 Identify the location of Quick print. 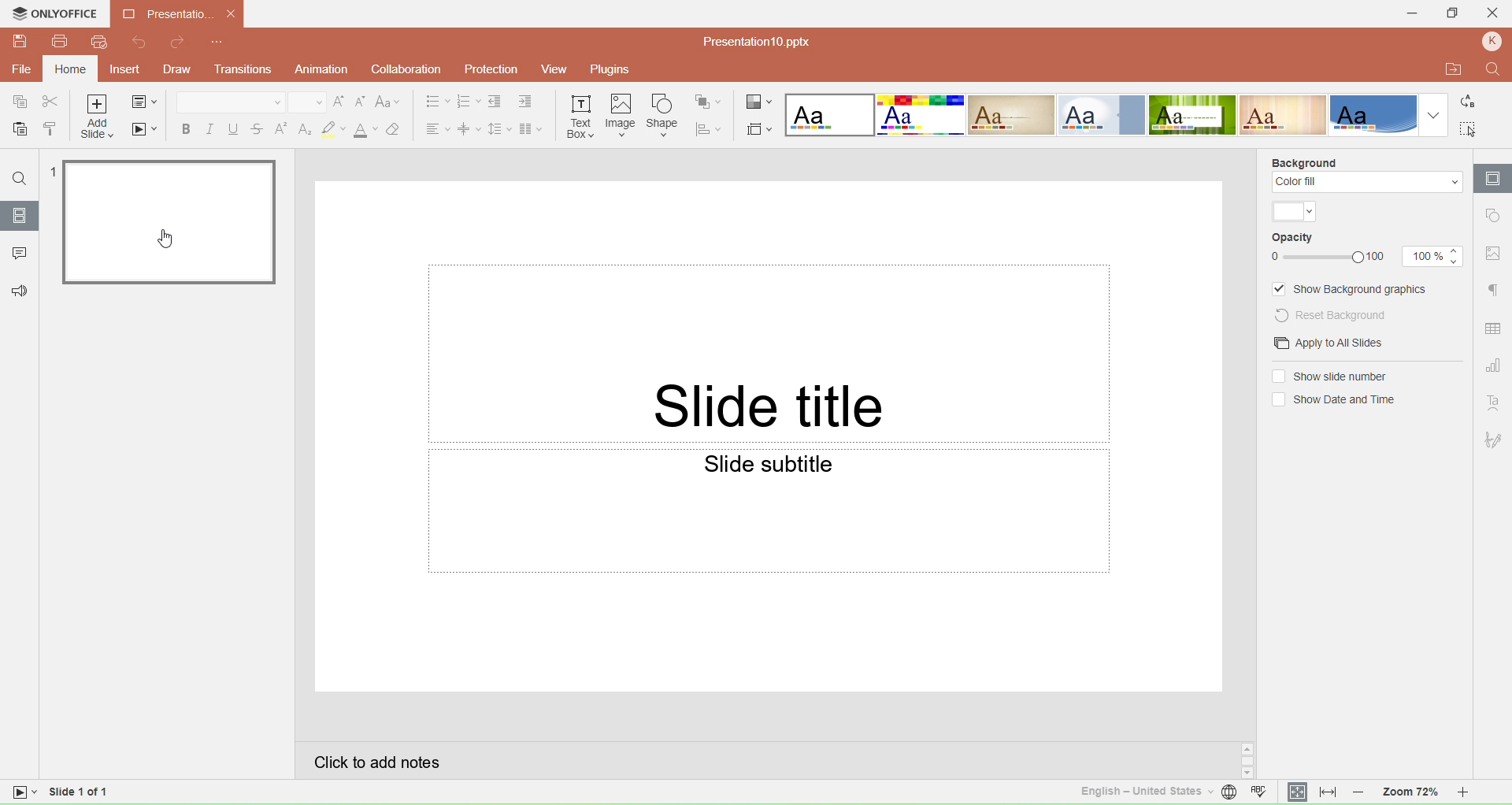
(98, 43).